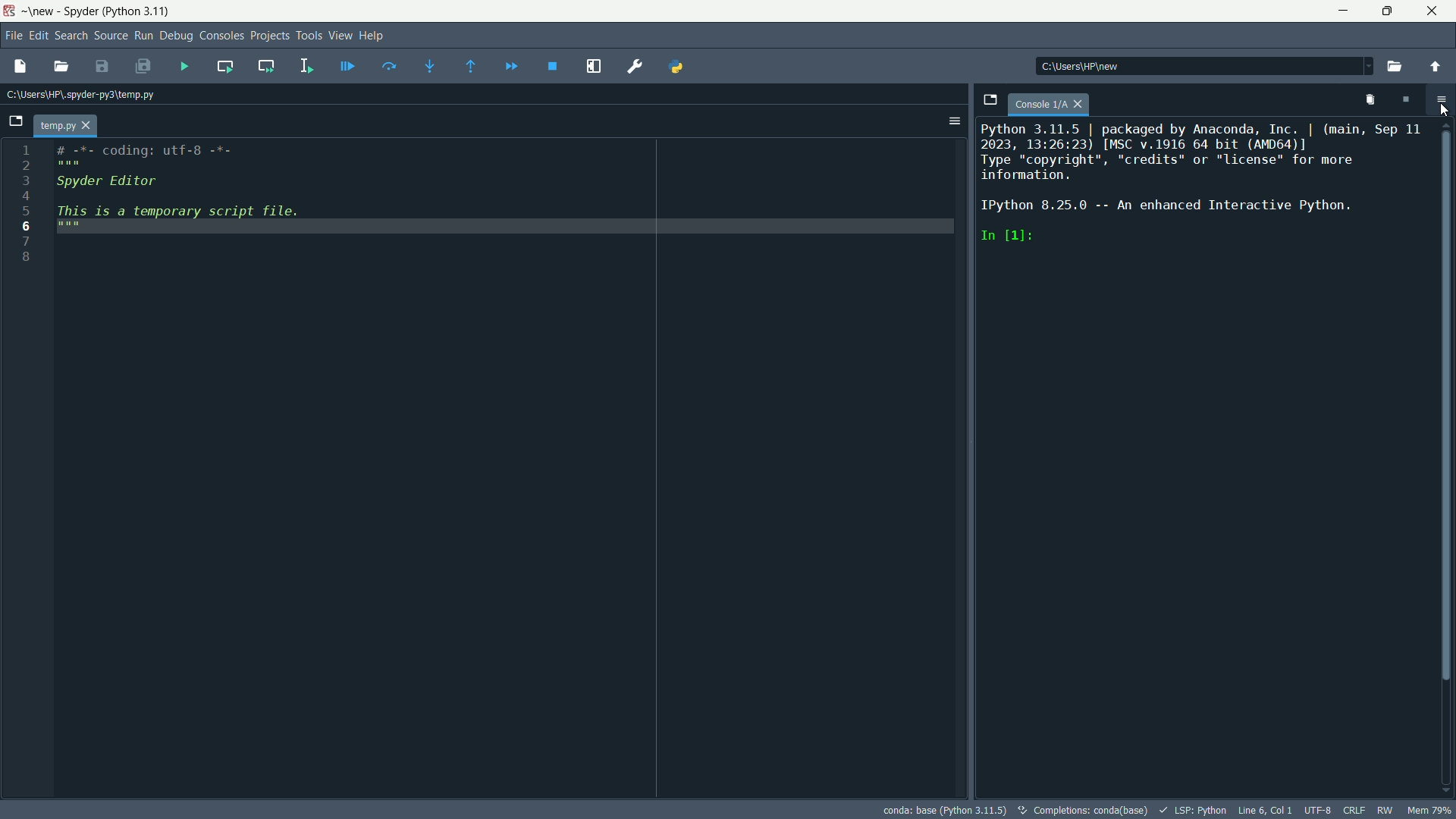 The height and width of the screenshot is (819, 1456). What do you see at coordinates (66, 124) in the screenshot?
I see `temp.py` at bounding box center [66, 124].